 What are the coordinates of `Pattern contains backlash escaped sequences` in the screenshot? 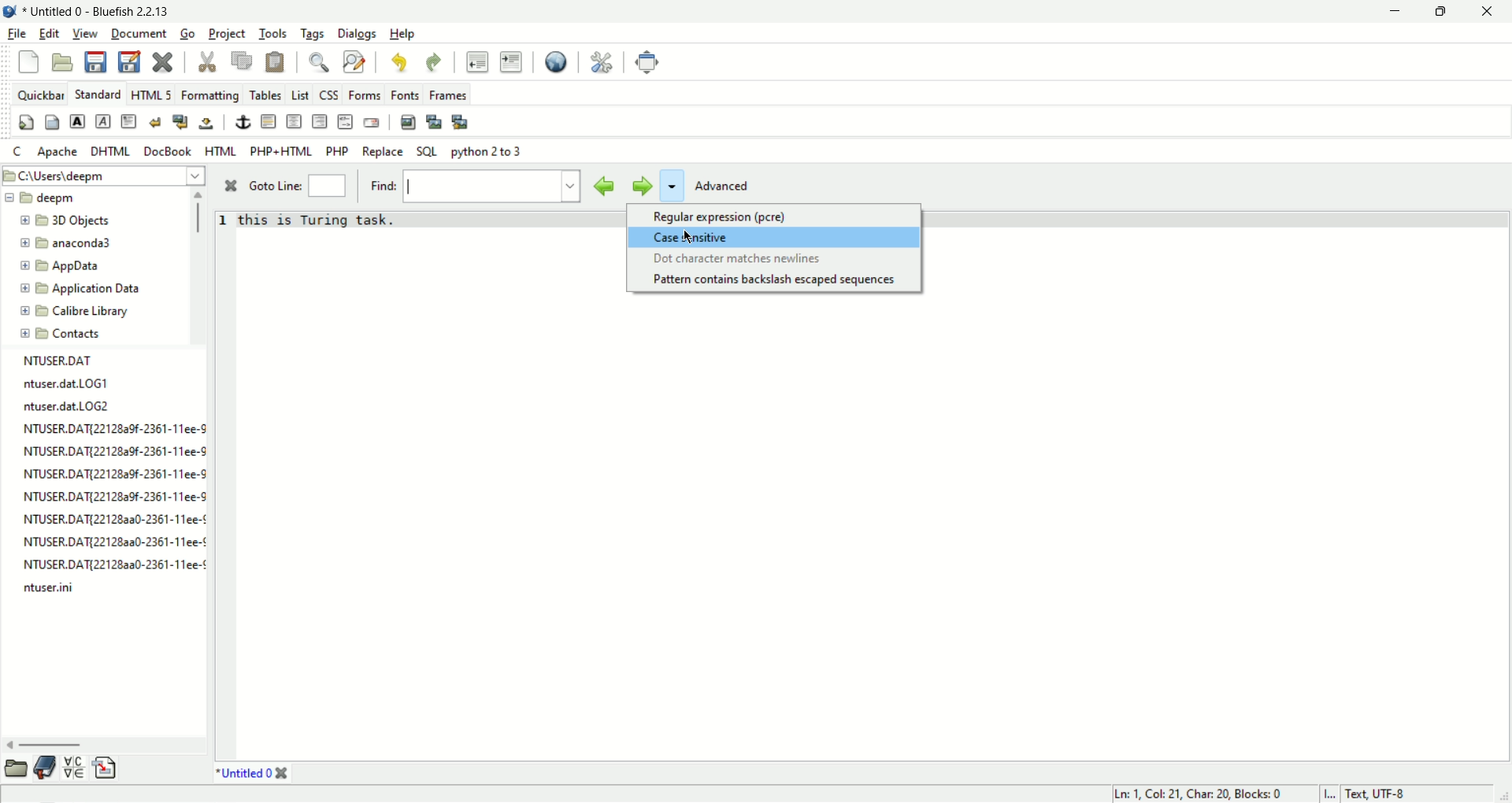 It's located at (776, 281).